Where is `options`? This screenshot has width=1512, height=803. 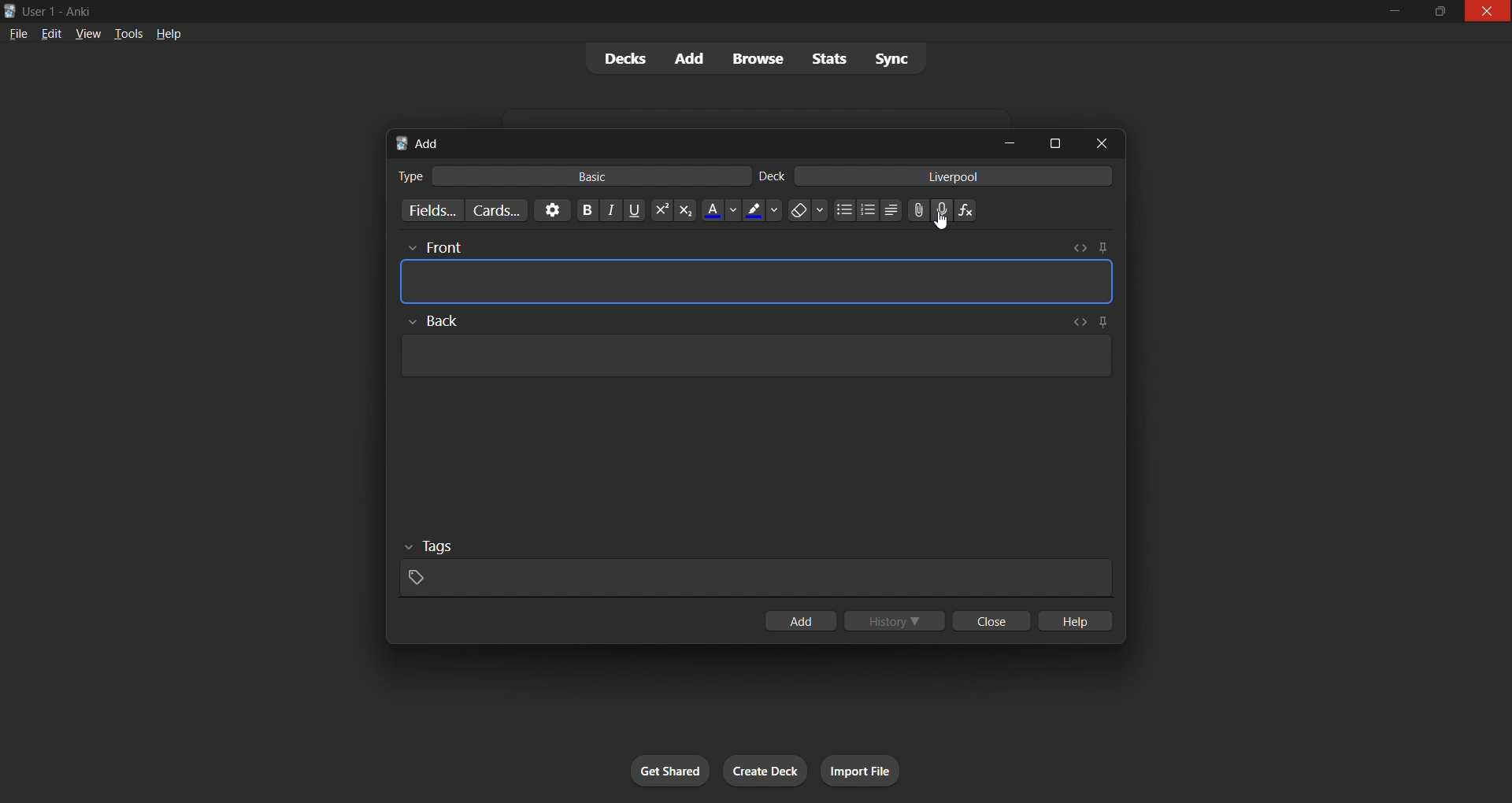
options is located at coordinates (548, 210).